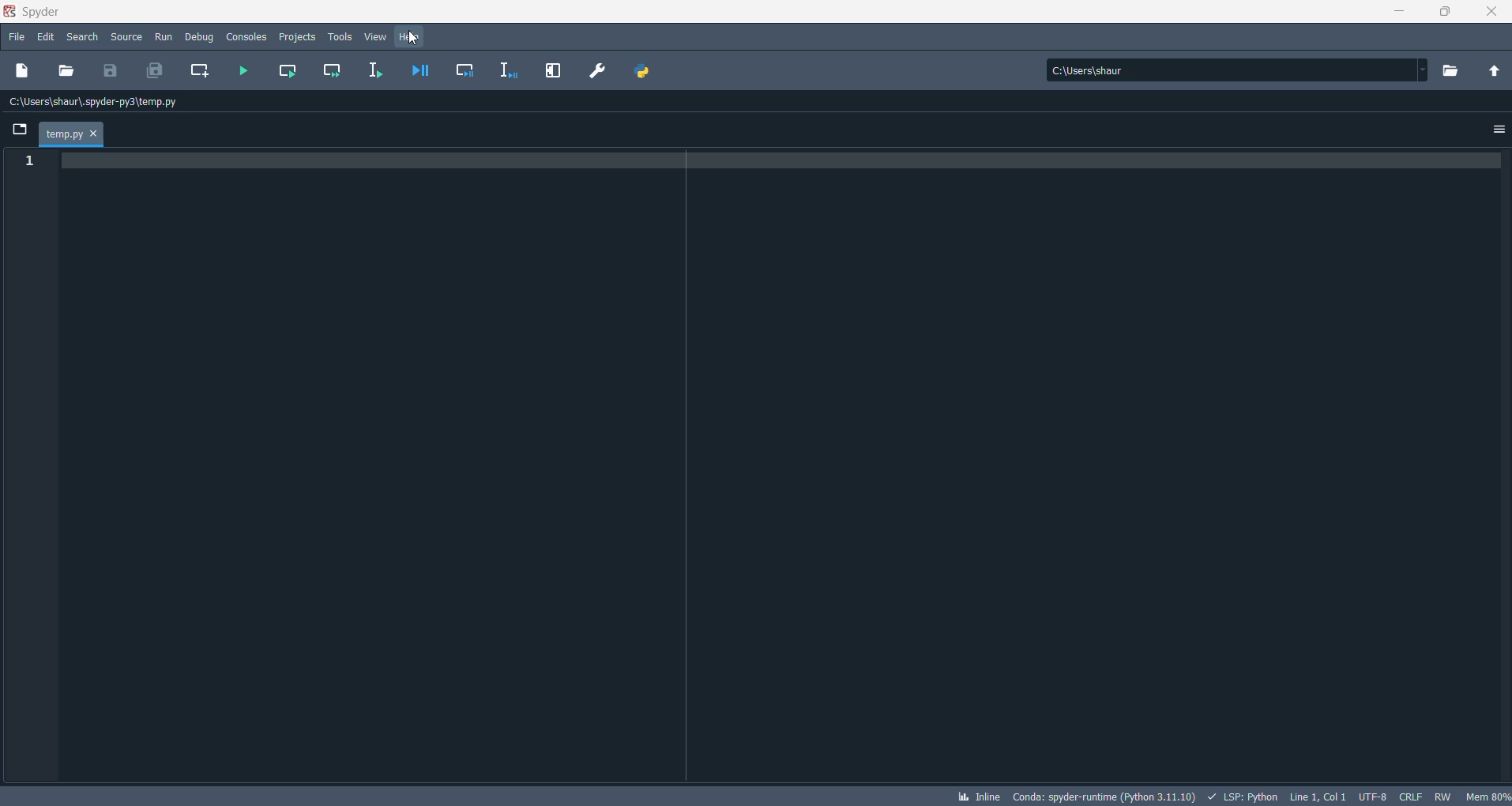  Describe the element at coordinates (200, 37) in the screenshot. I see `debug` at that location.